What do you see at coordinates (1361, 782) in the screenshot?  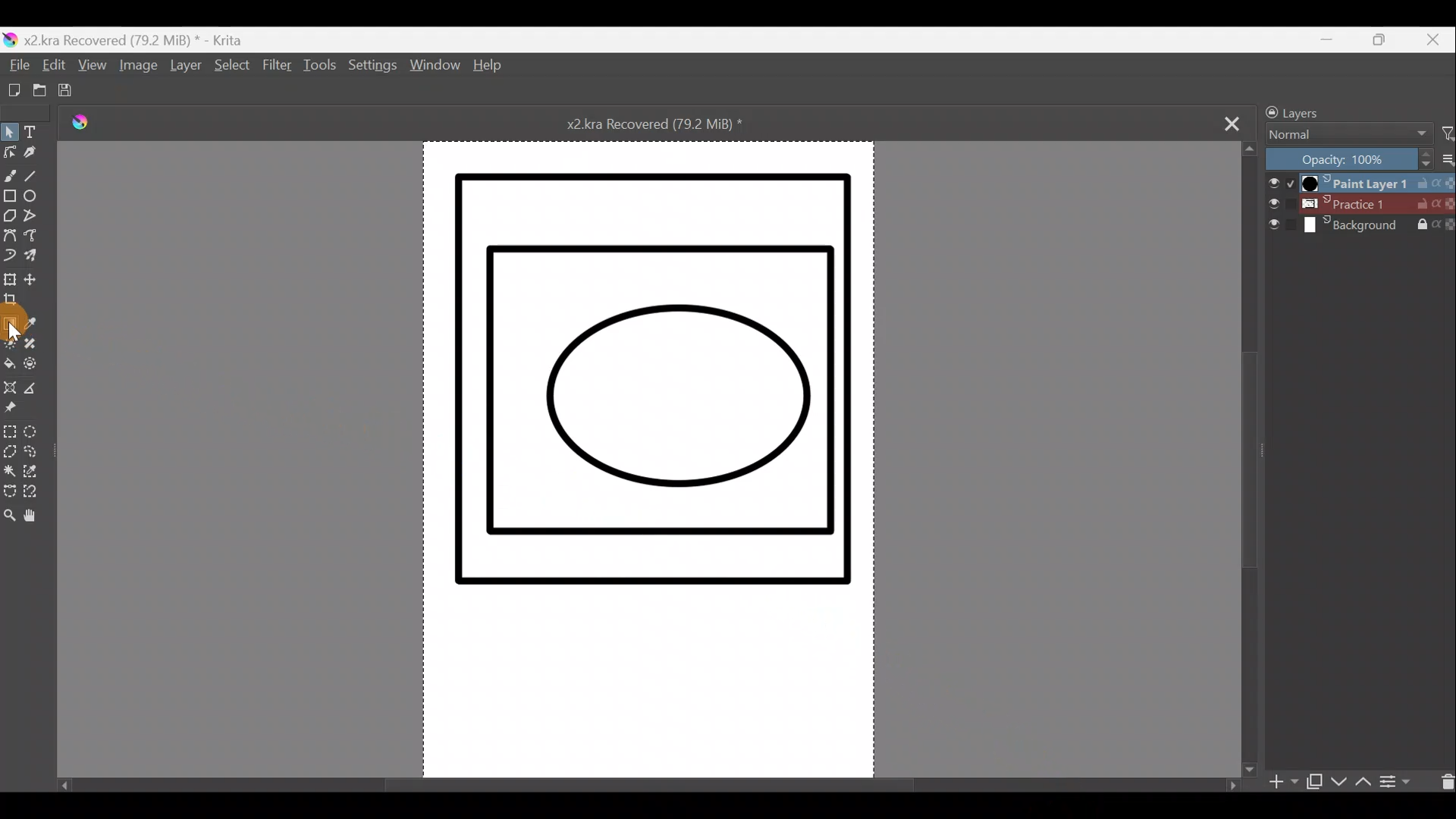 I see `Move layer/mask up` at bounding box center [1361, 782].